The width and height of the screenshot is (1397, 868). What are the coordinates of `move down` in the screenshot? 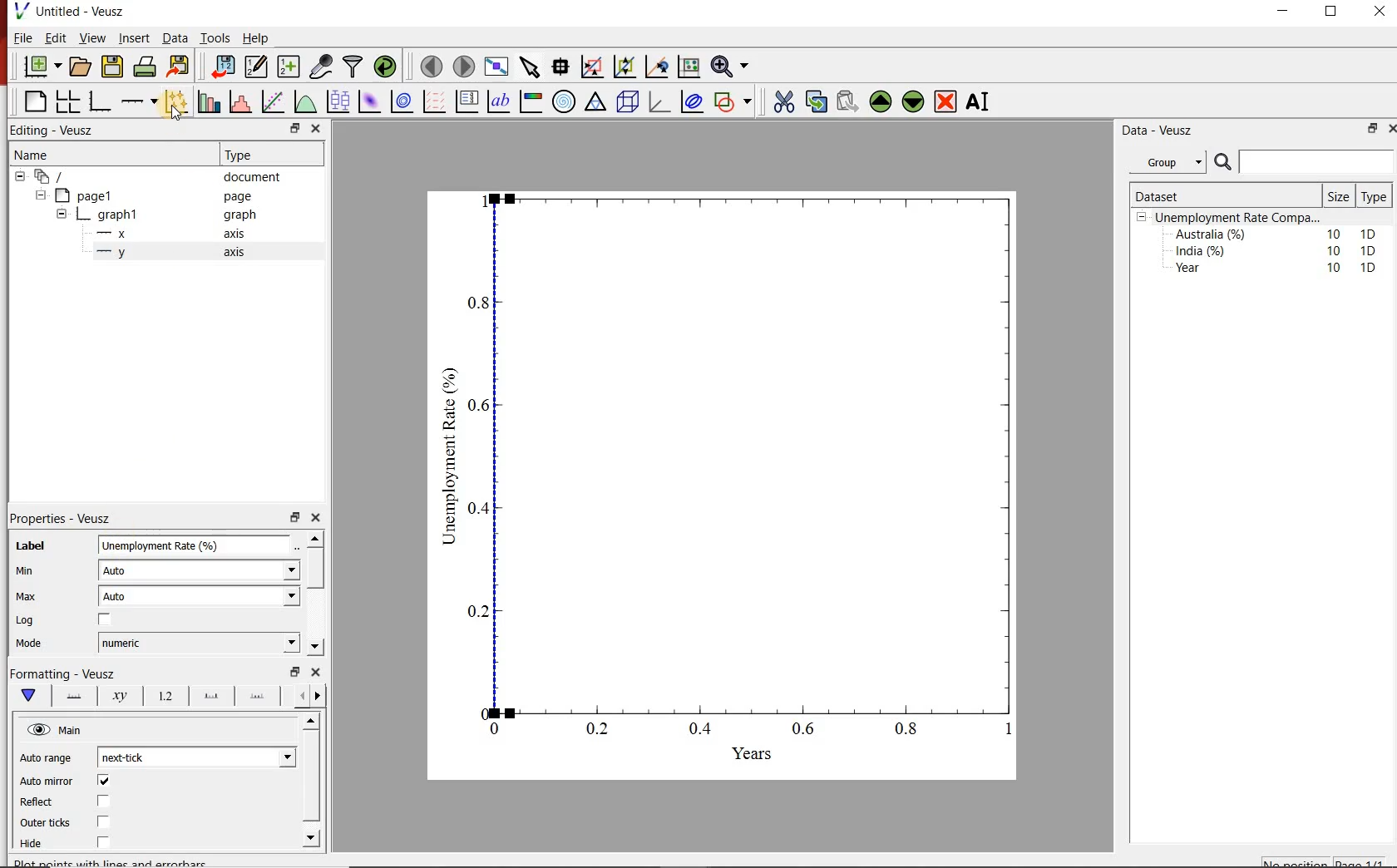 It's located at (314, 646).